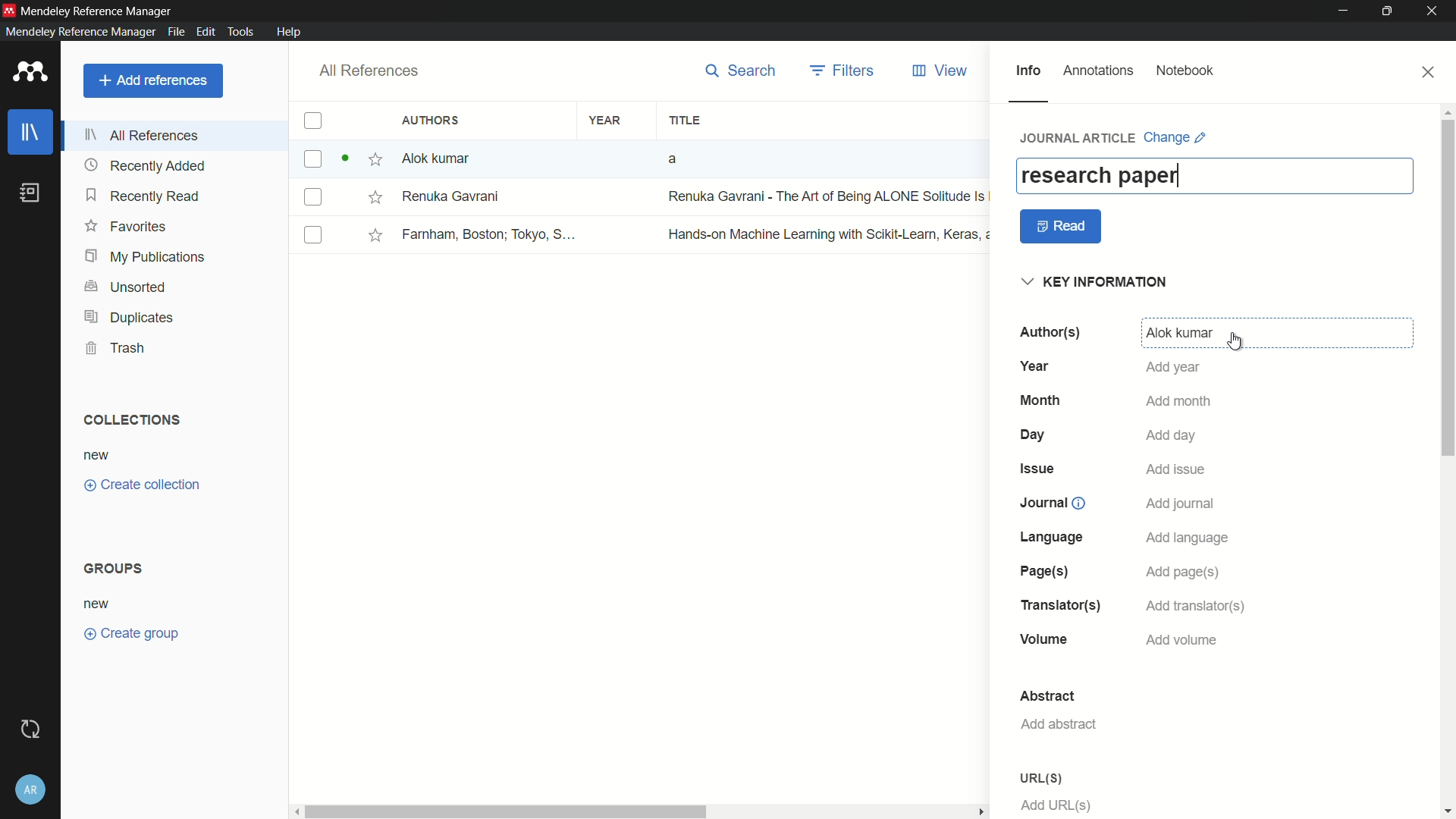  Describe the element at coordinates (142, 485) in the screenshot. I see `create collections` at that location.